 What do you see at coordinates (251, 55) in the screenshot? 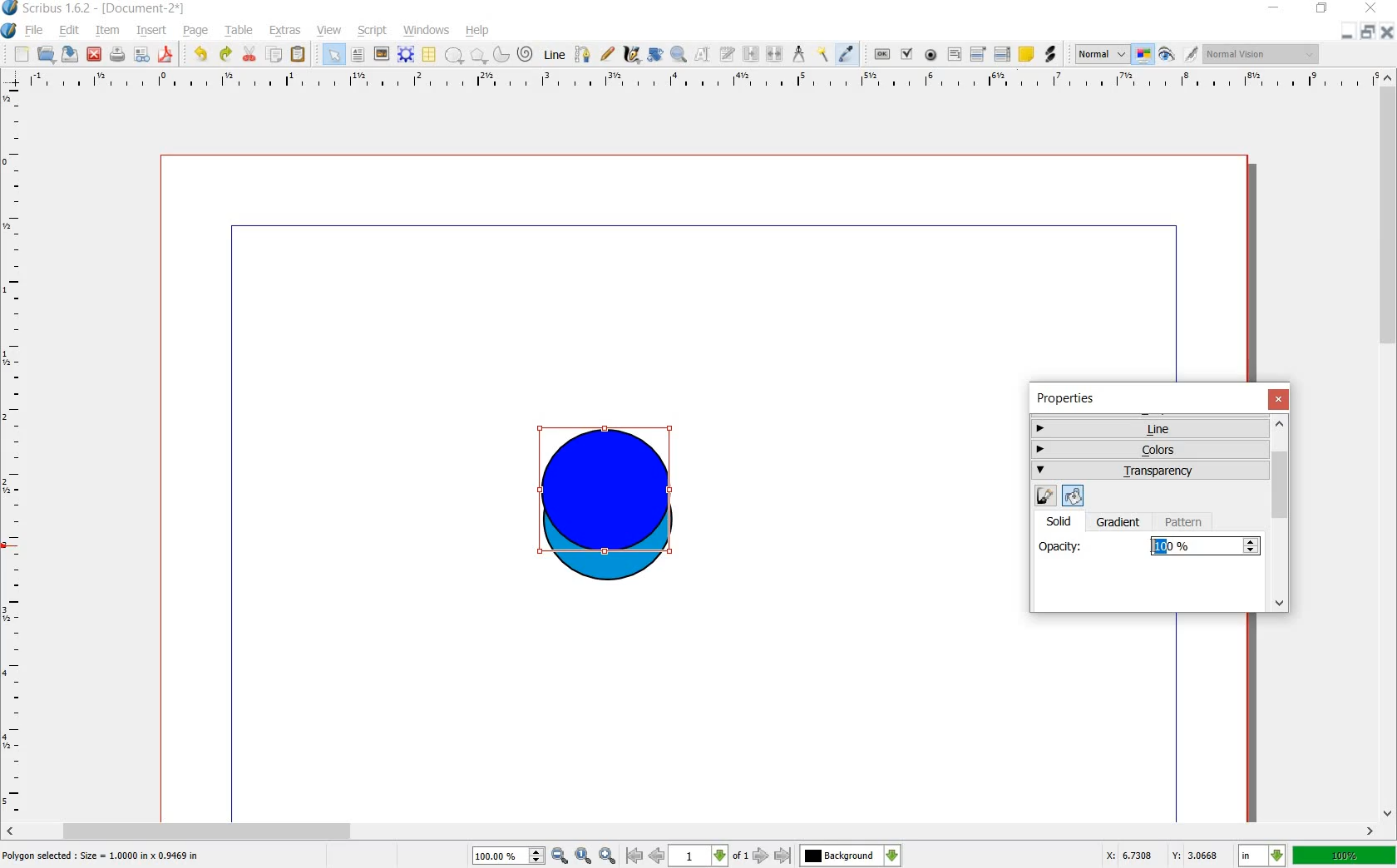
I see `cut` at bounding box center [251, 55].